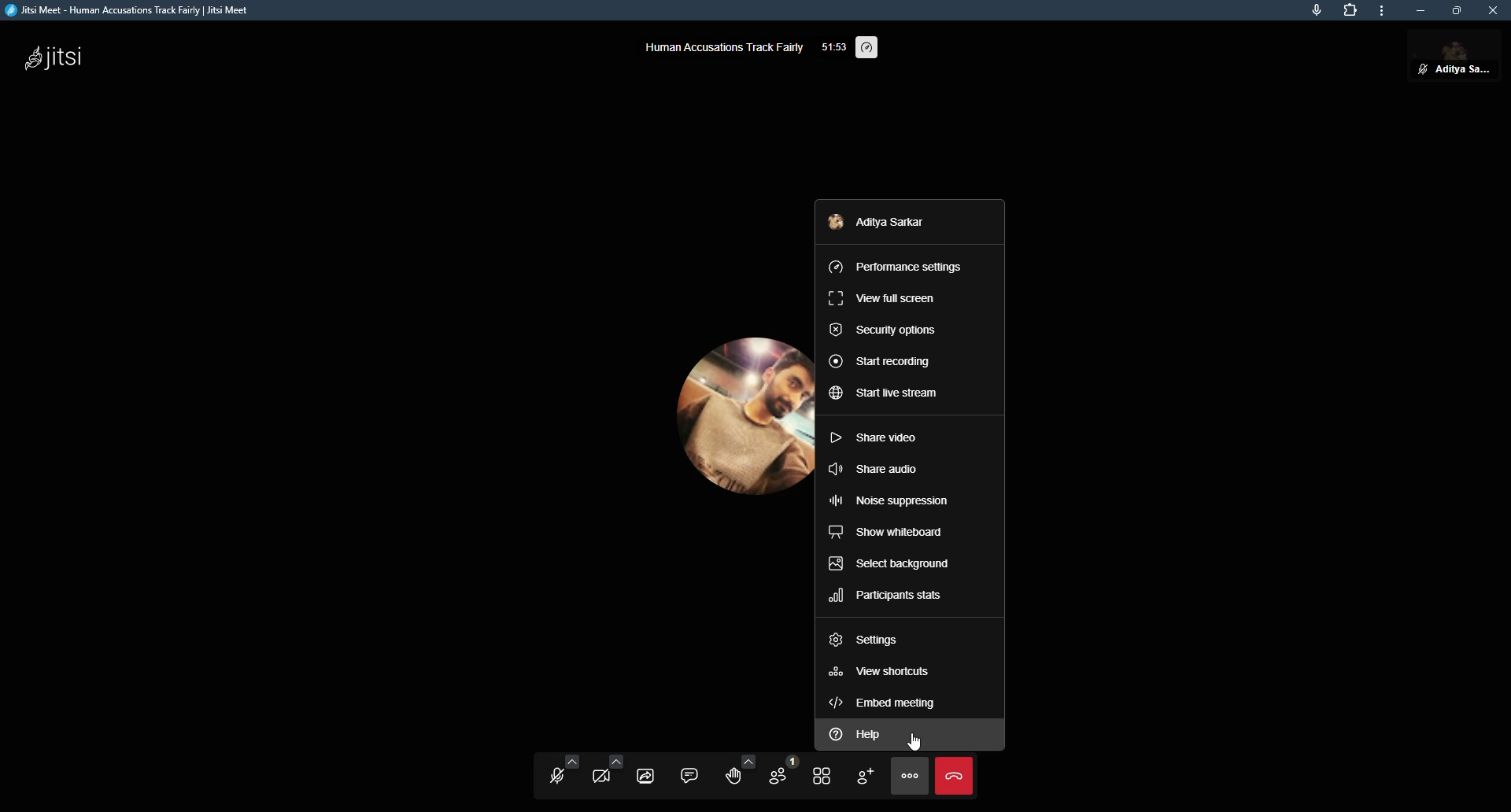 The width and height of the screenshot is (1511, 812). What do you see at coordinates (894, 500) in the screenshot?
I see `noise suppression` at bounding box center [894, 500].